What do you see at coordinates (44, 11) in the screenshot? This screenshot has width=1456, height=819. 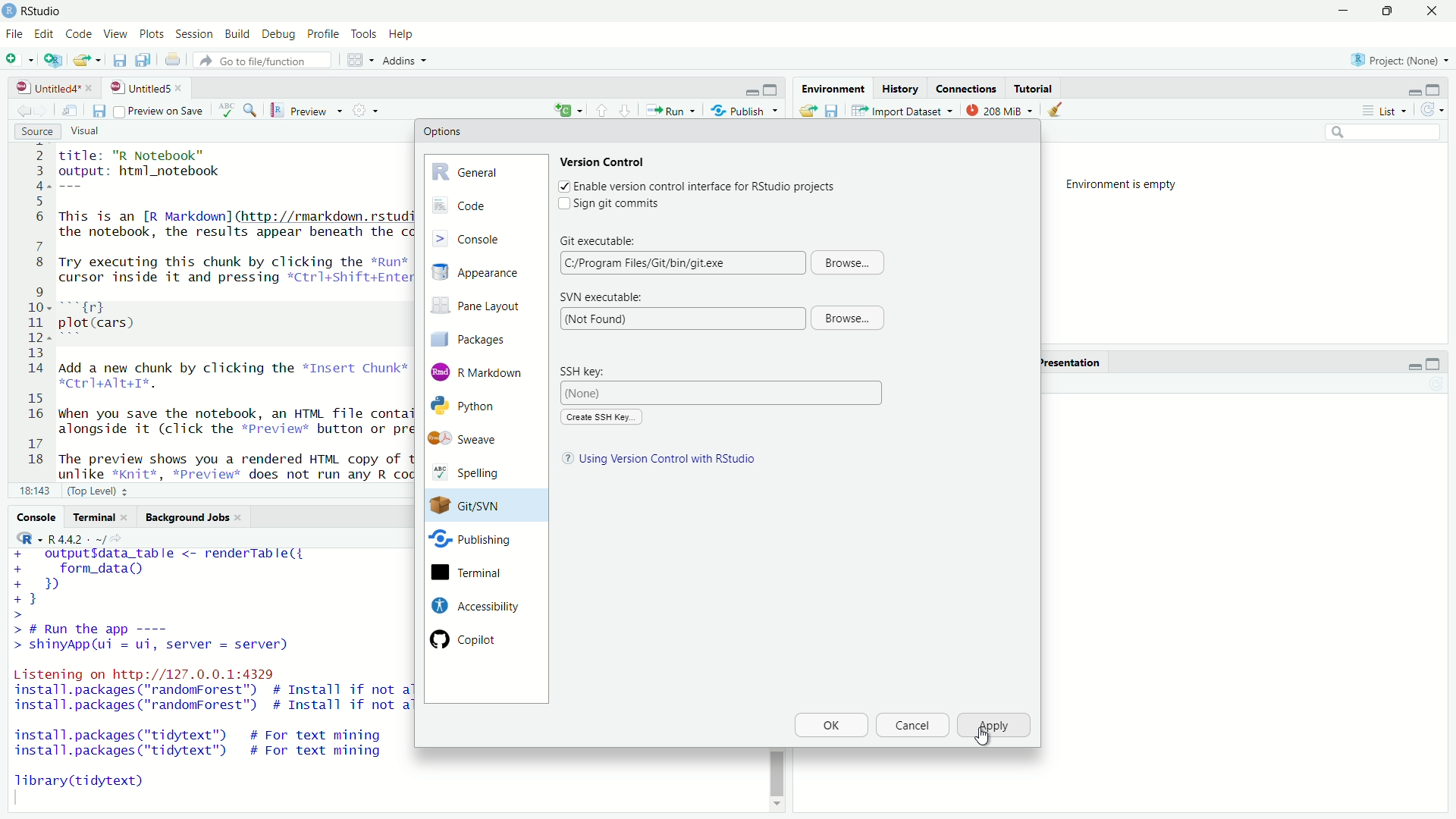 I see `RStudio` at bounding box center [44, 11].